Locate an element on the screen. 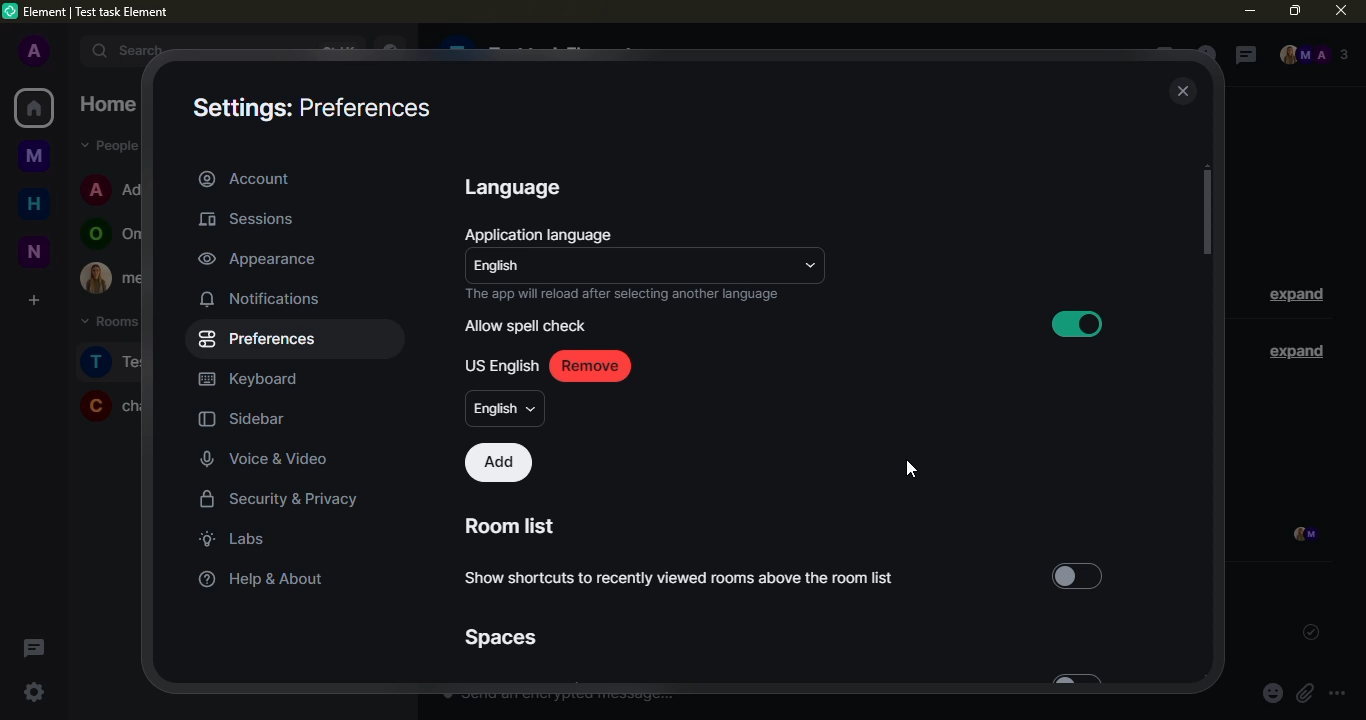 This screenshot has height=720, width=1366. show shortcuts is located at coordinates (687, 579).